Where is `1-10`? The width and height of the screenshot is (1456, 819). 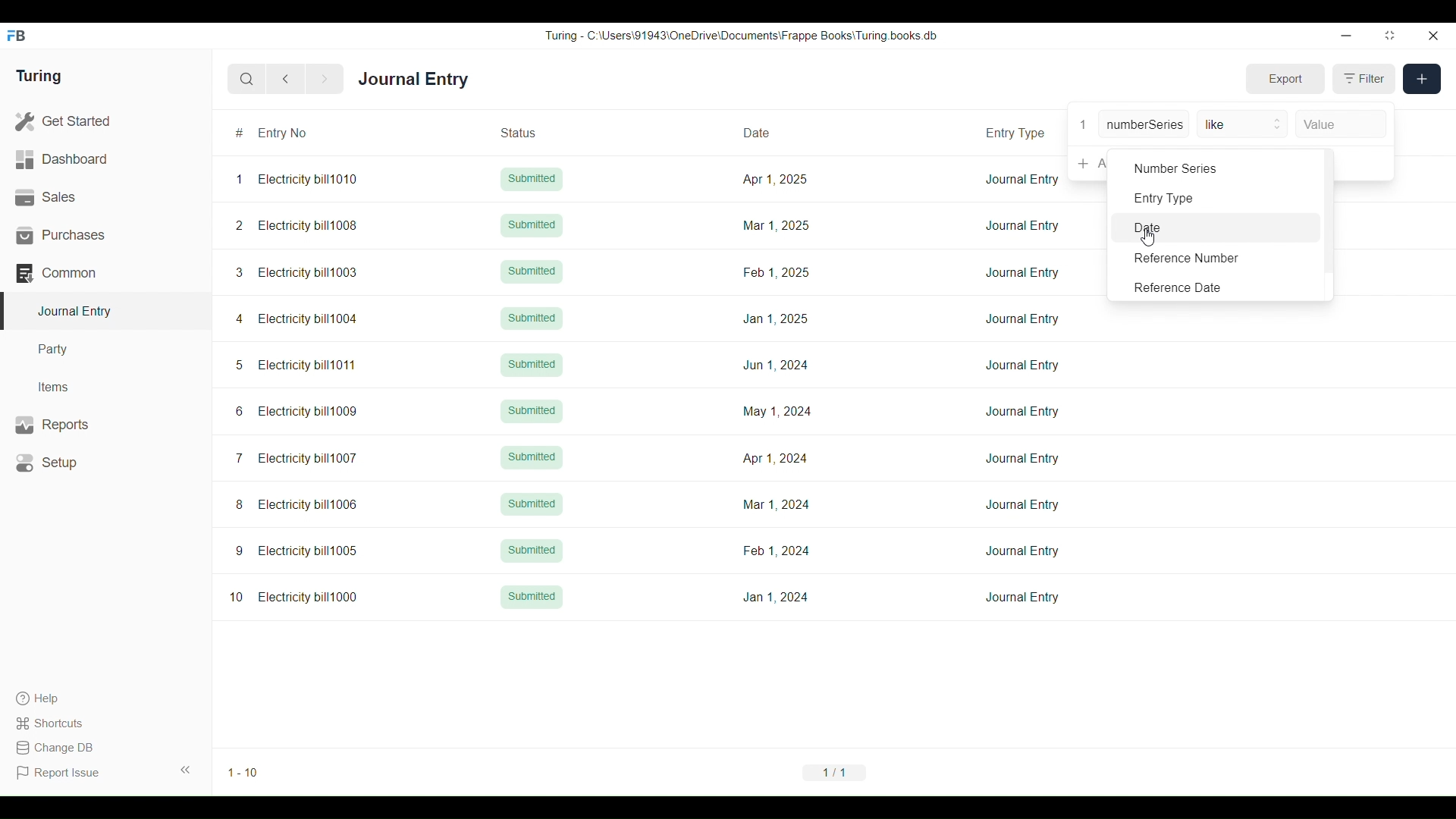
1-10 is located at coordinates (243, 773).